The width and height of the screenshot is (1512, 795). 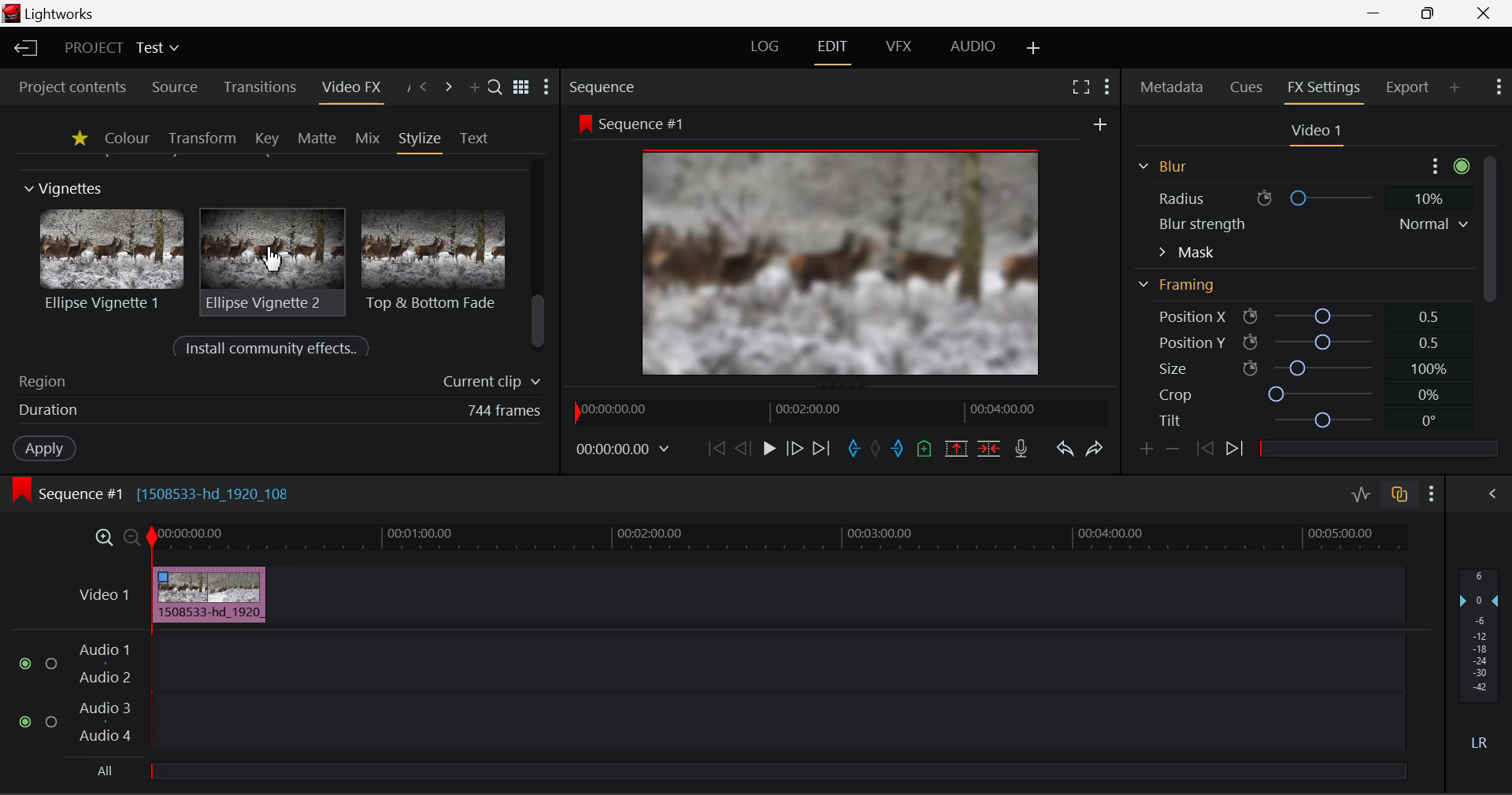 What do you see at coordinates (1295, 317) in the screenshot?
I see `Position X` at bounding box center [1295, 317].